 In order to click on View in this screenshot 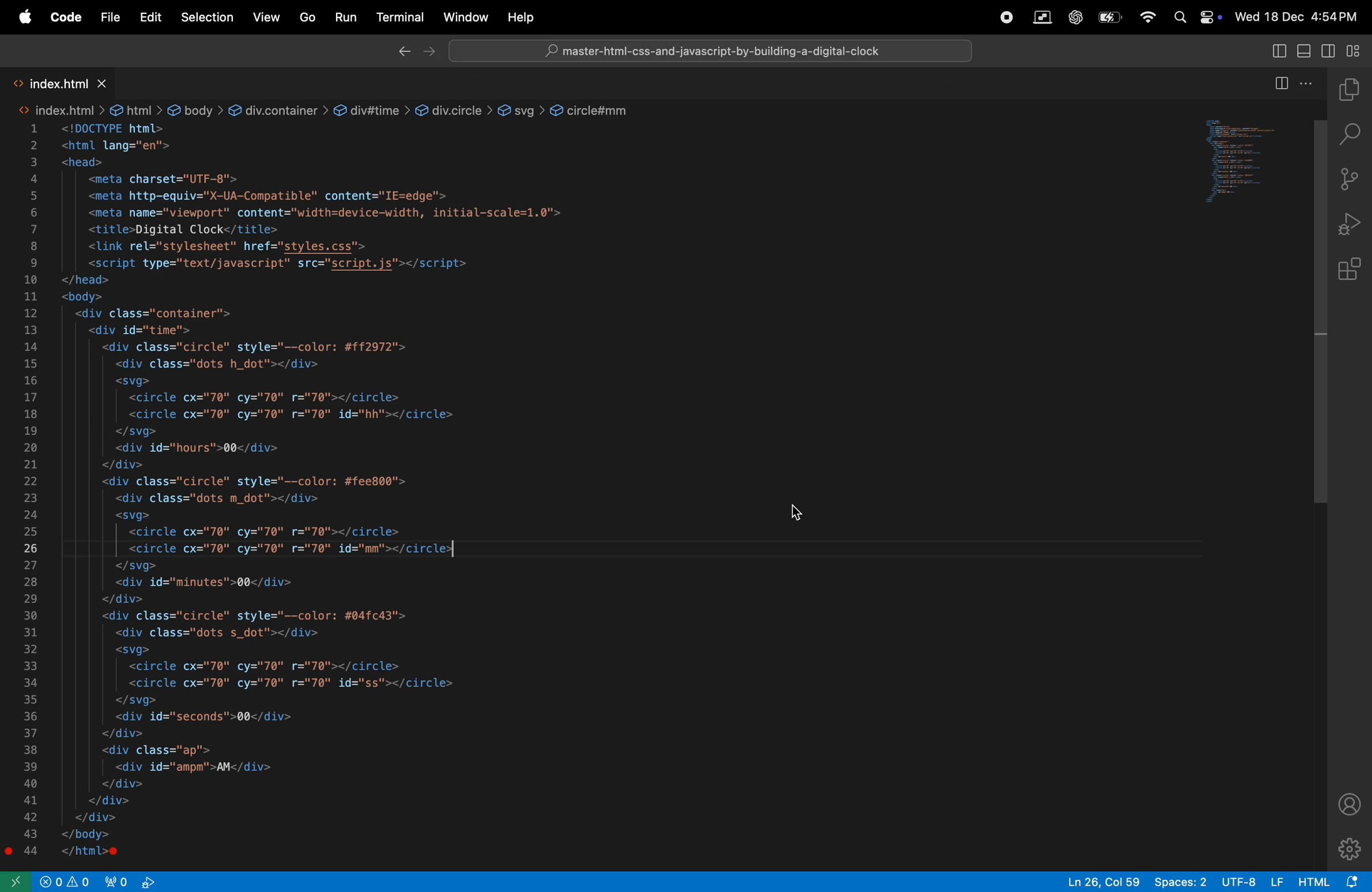, I will do `click(265, 17)`.